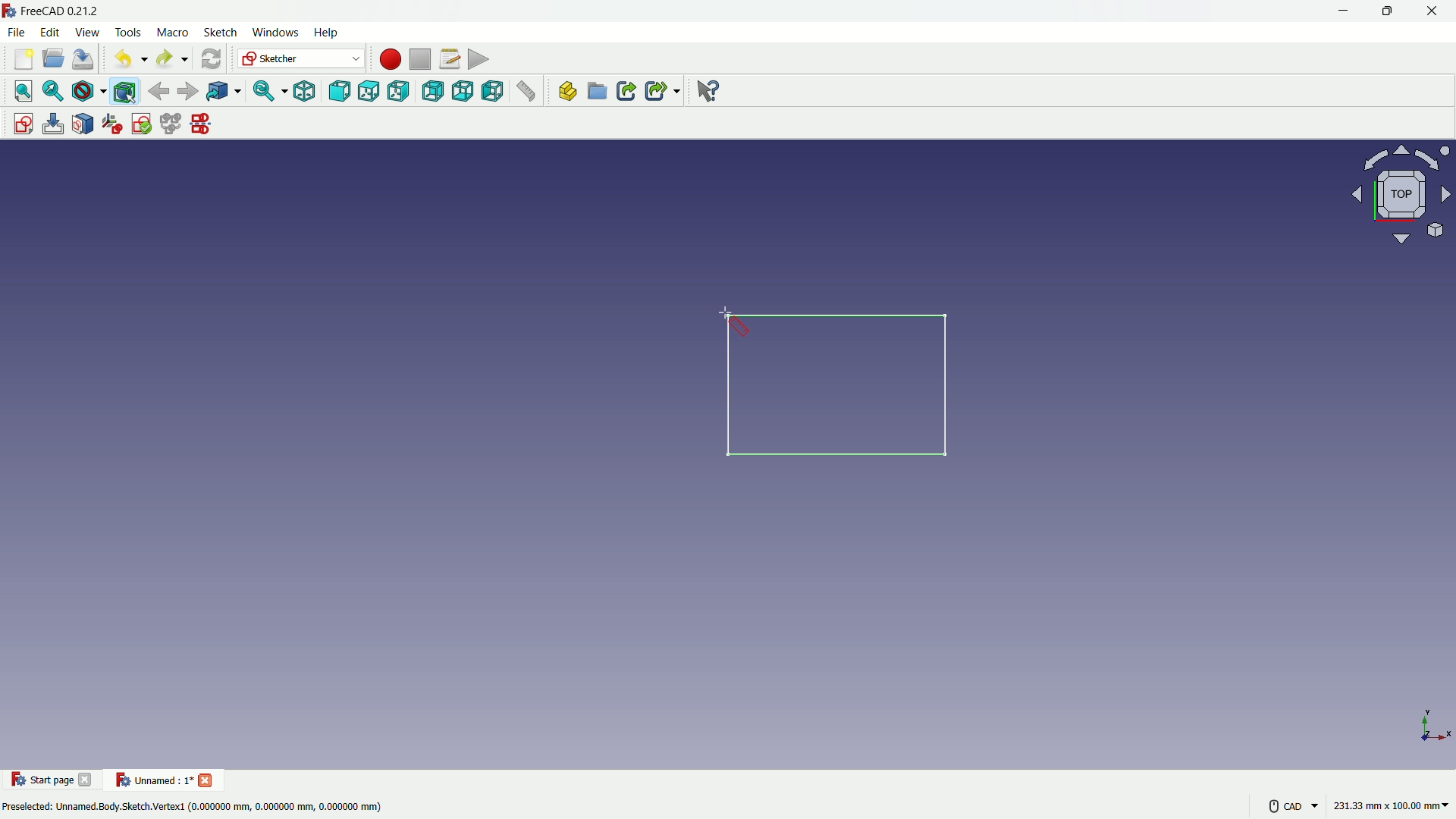 This screenshot has width=1456, height=819. What do you see at coordinates (19, 122) in the screenshot?
I see `create sketch` at bounding box center [19, 122].